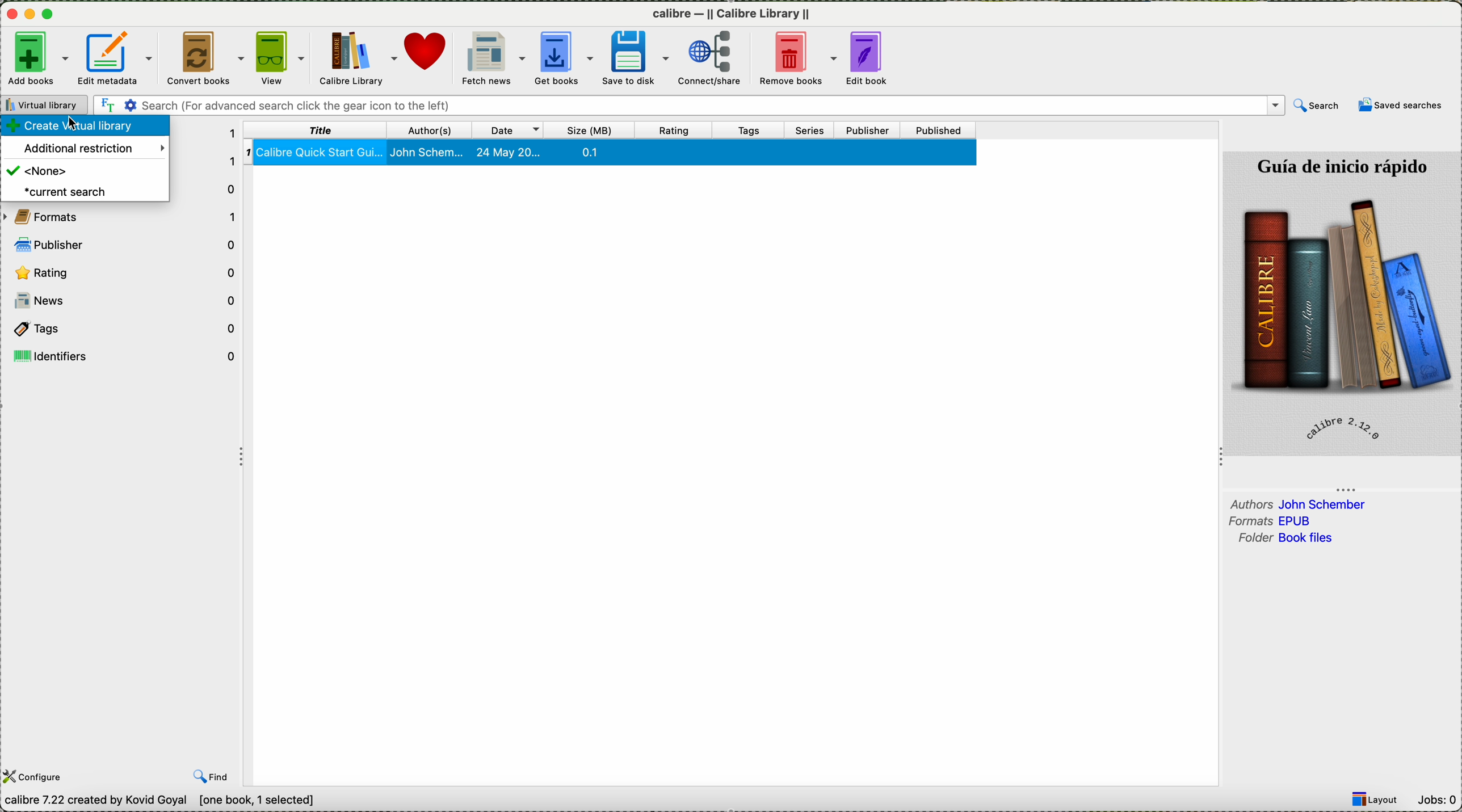  Describe the element at coordinates (36, 776) in the screenshot. I see `configure` at that location.